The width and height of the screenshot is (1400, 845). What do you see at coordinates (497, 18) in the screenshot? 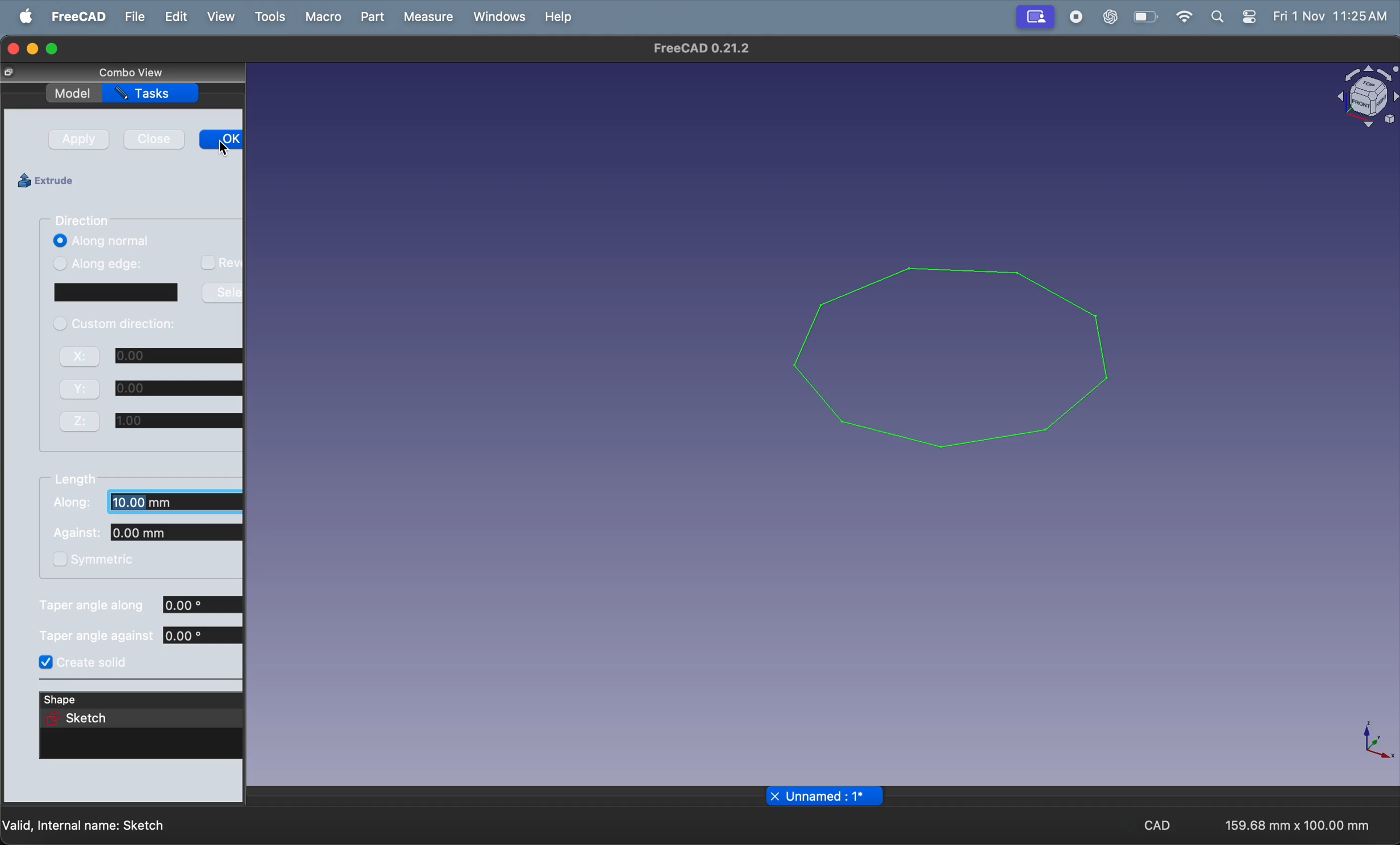
I see `windows` at bounding box center [497, 18].